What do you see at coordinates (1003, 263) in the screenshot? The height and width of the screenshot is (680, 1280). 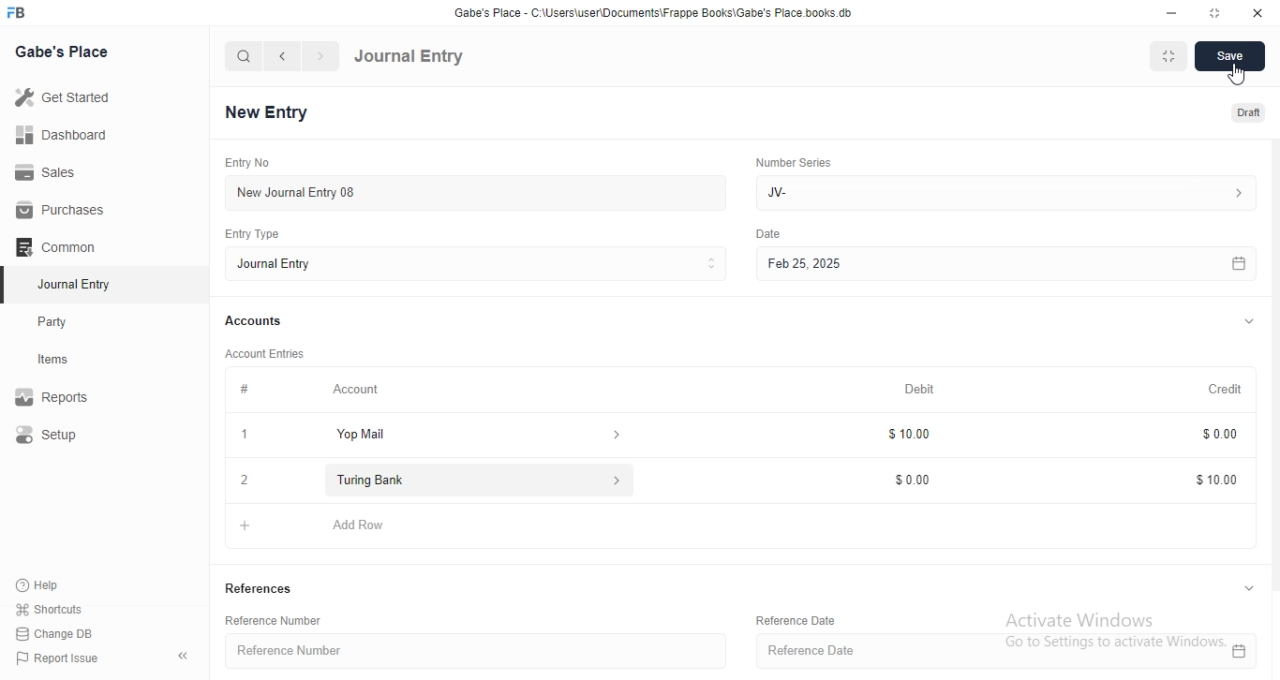 I see `Feb 25, 2025` at bounding box center [1003, 263].